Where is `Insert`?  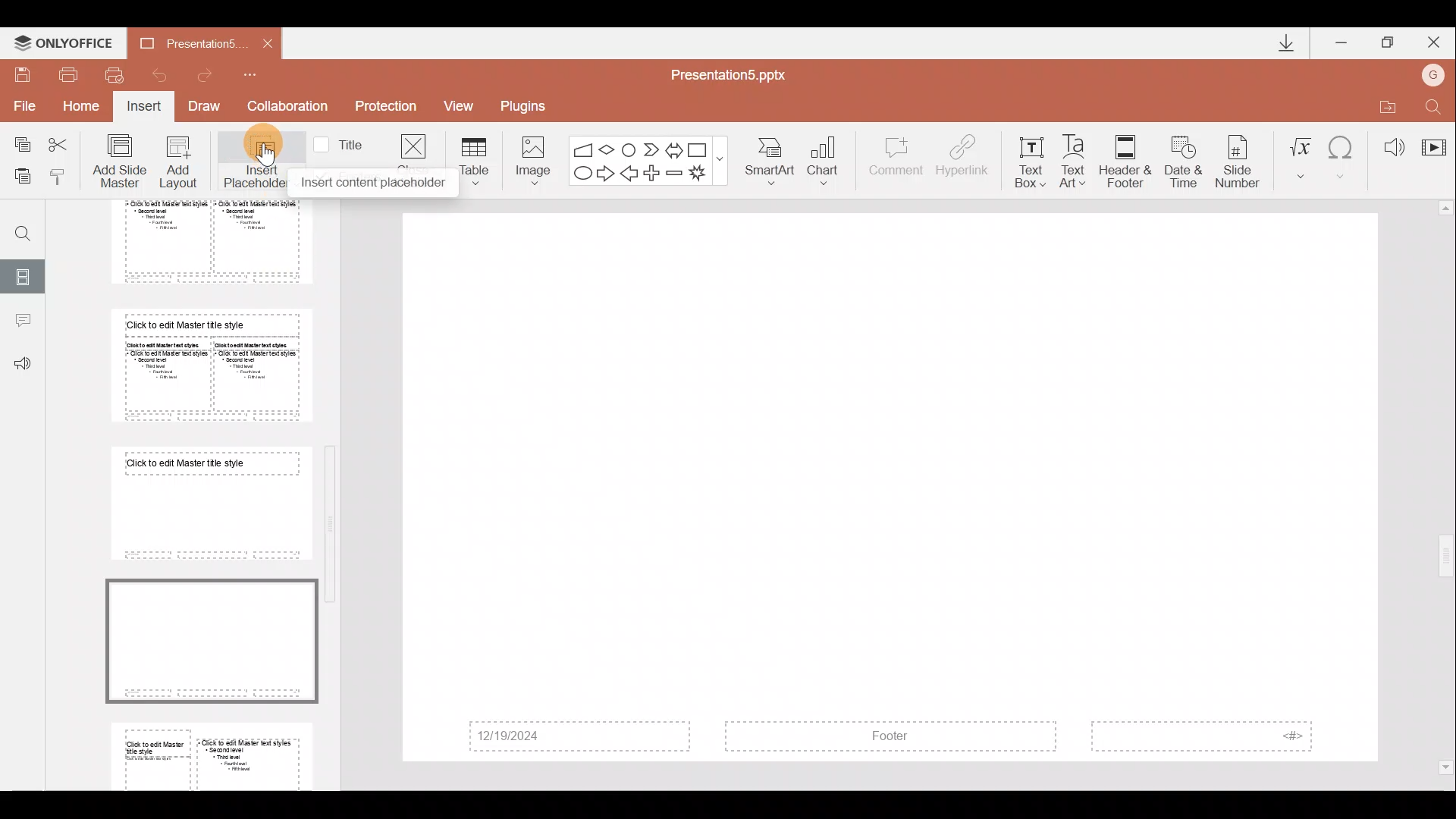
Insert is located at coordinates (145, 108).